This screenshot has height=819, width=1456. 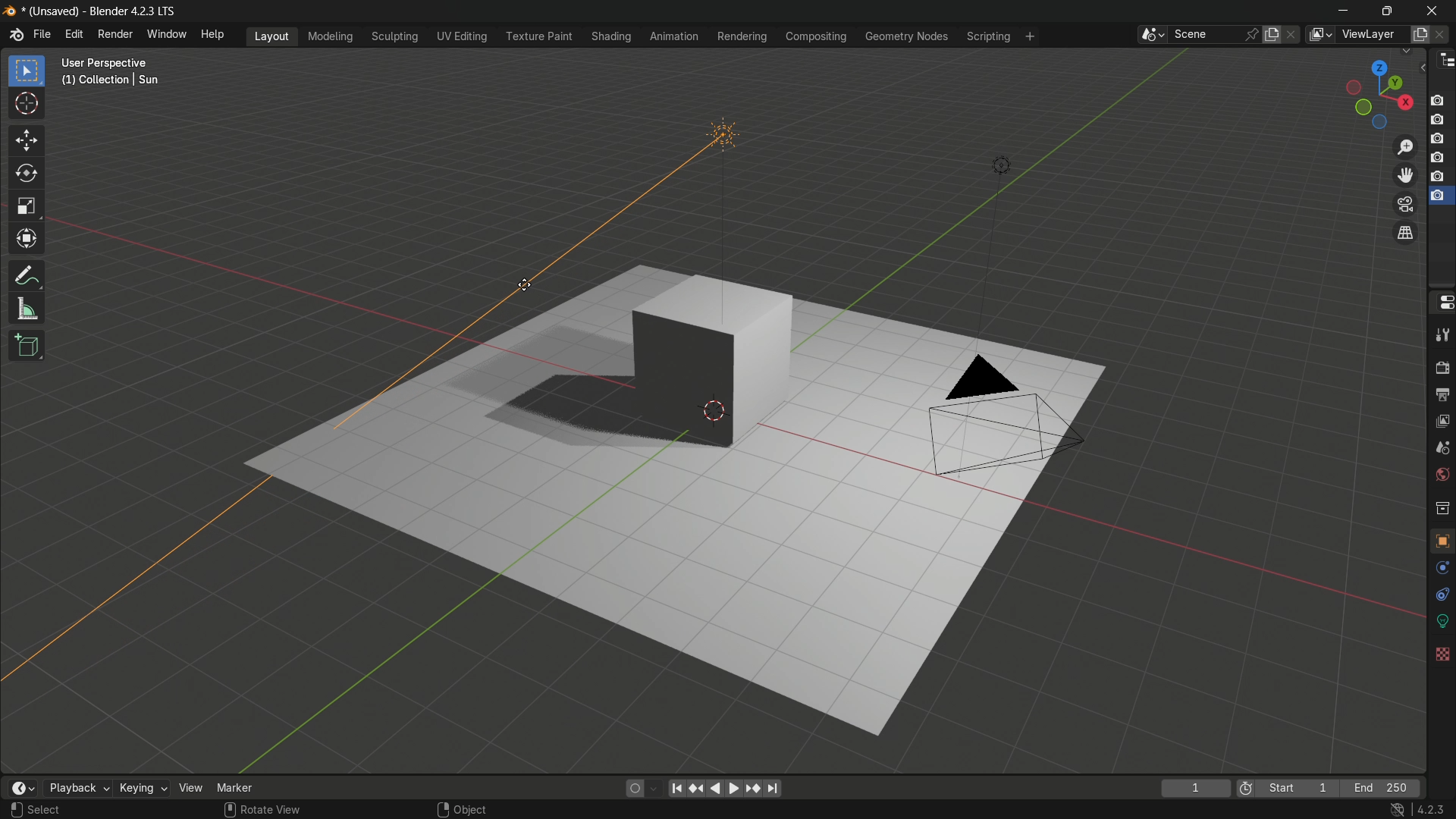 What do you see at coordinates (24, 787) in the screenshot?
I see `timeline` at bounding box center [24, 787].